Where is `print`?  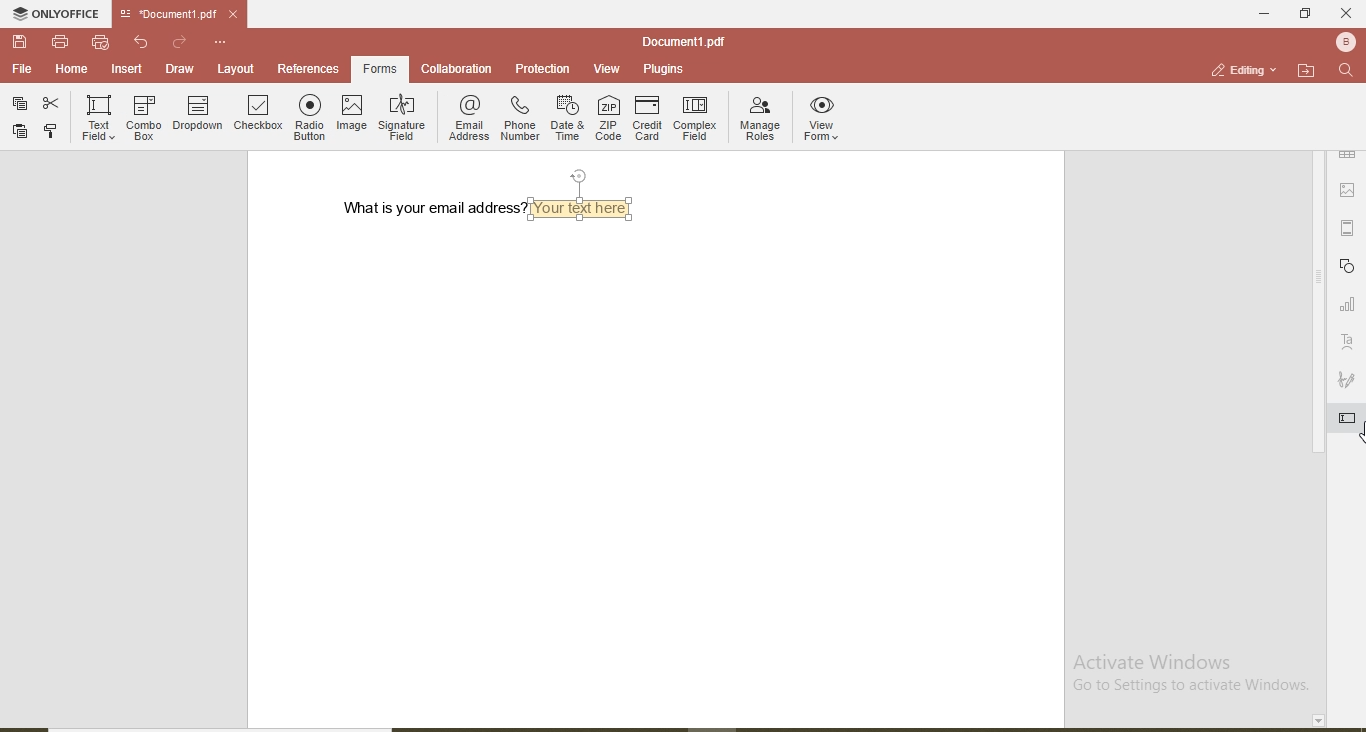 print is located at coordinates (60, 40).